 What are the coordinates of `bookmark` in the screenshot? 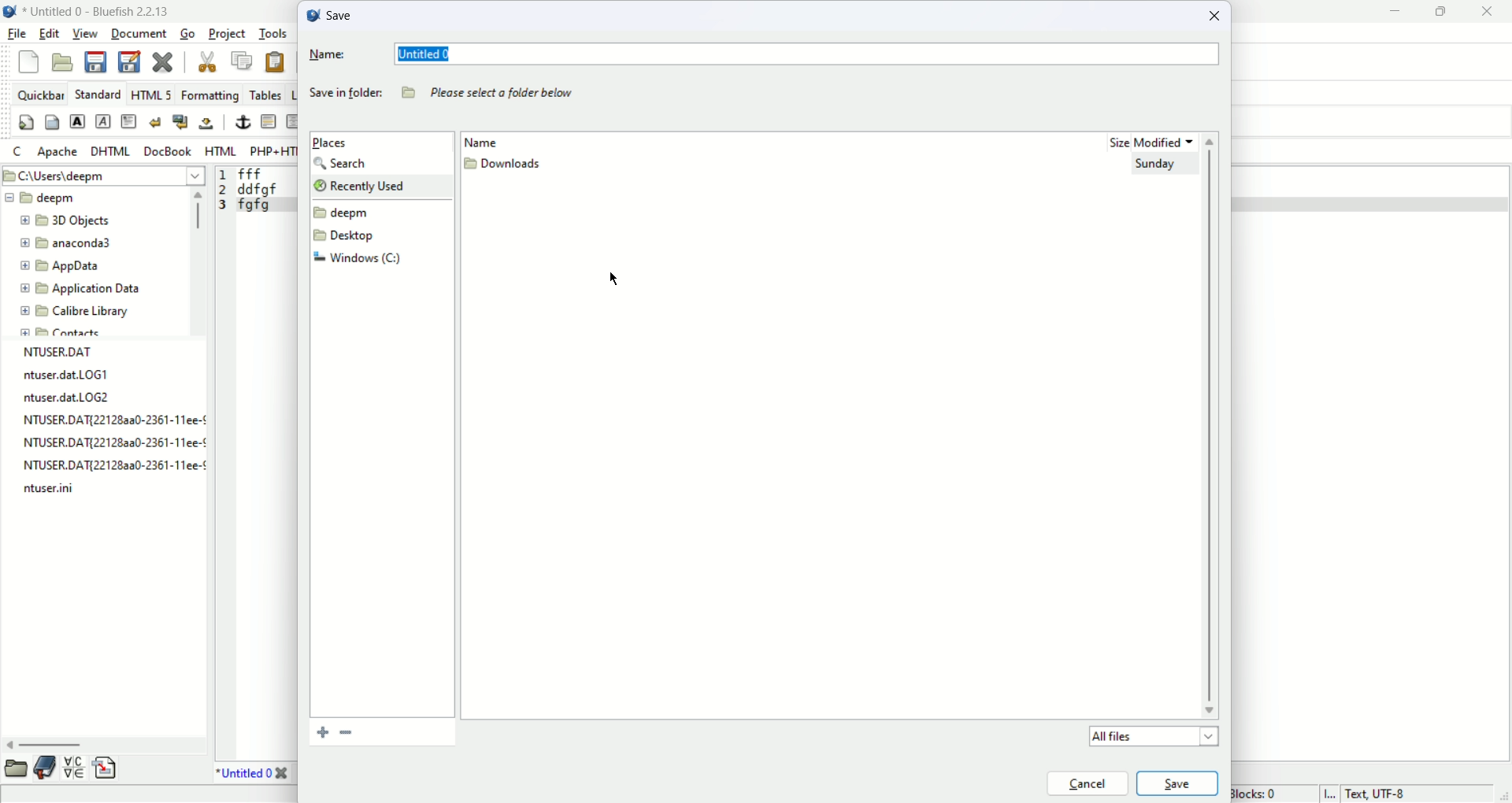 It's located at (347, 733).